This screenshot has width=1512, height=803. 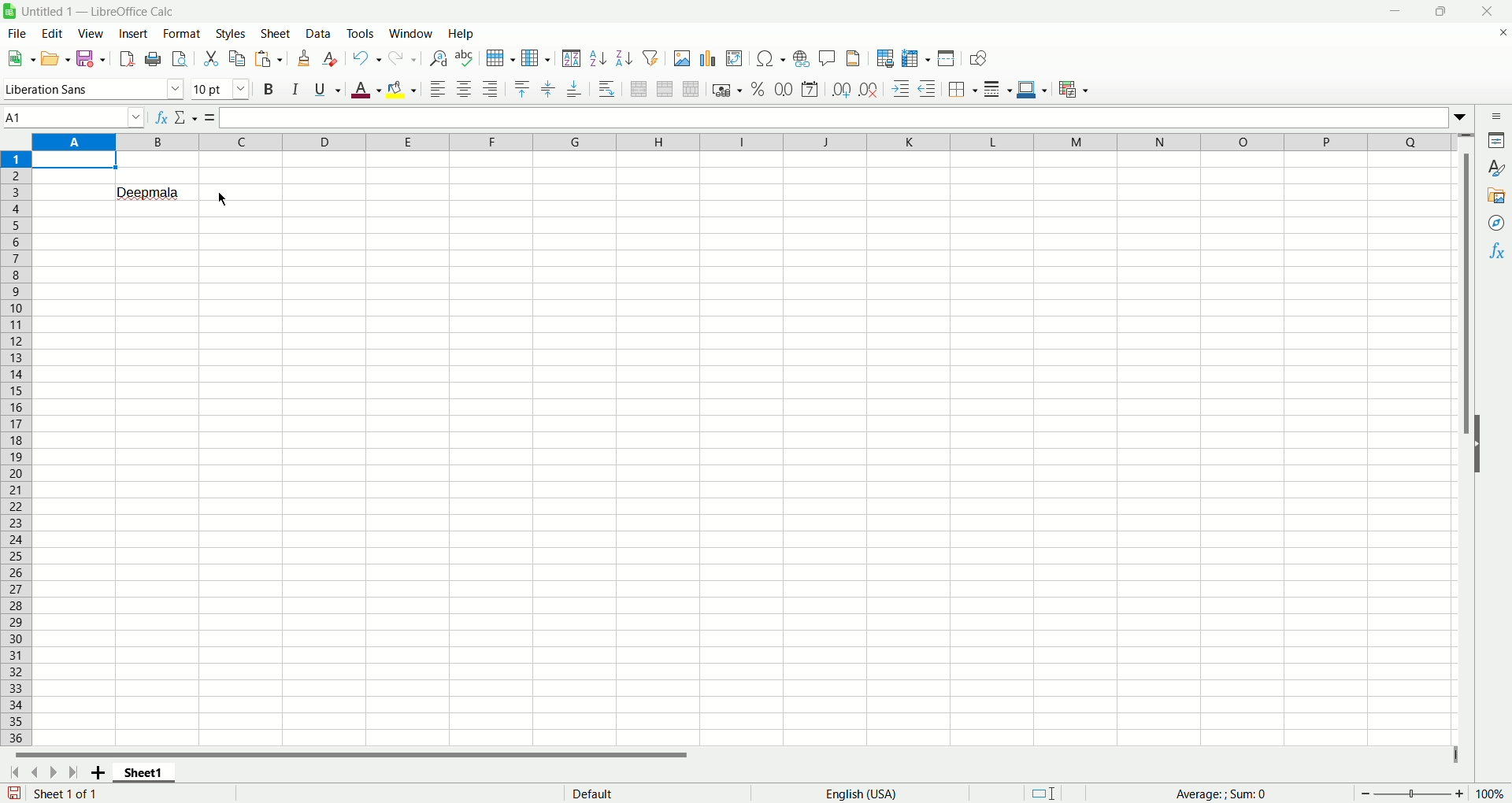 What do you see at coordinates (1366, 793) in the screenshot?
I see `zoom out` at bounding box center [1366, 793].